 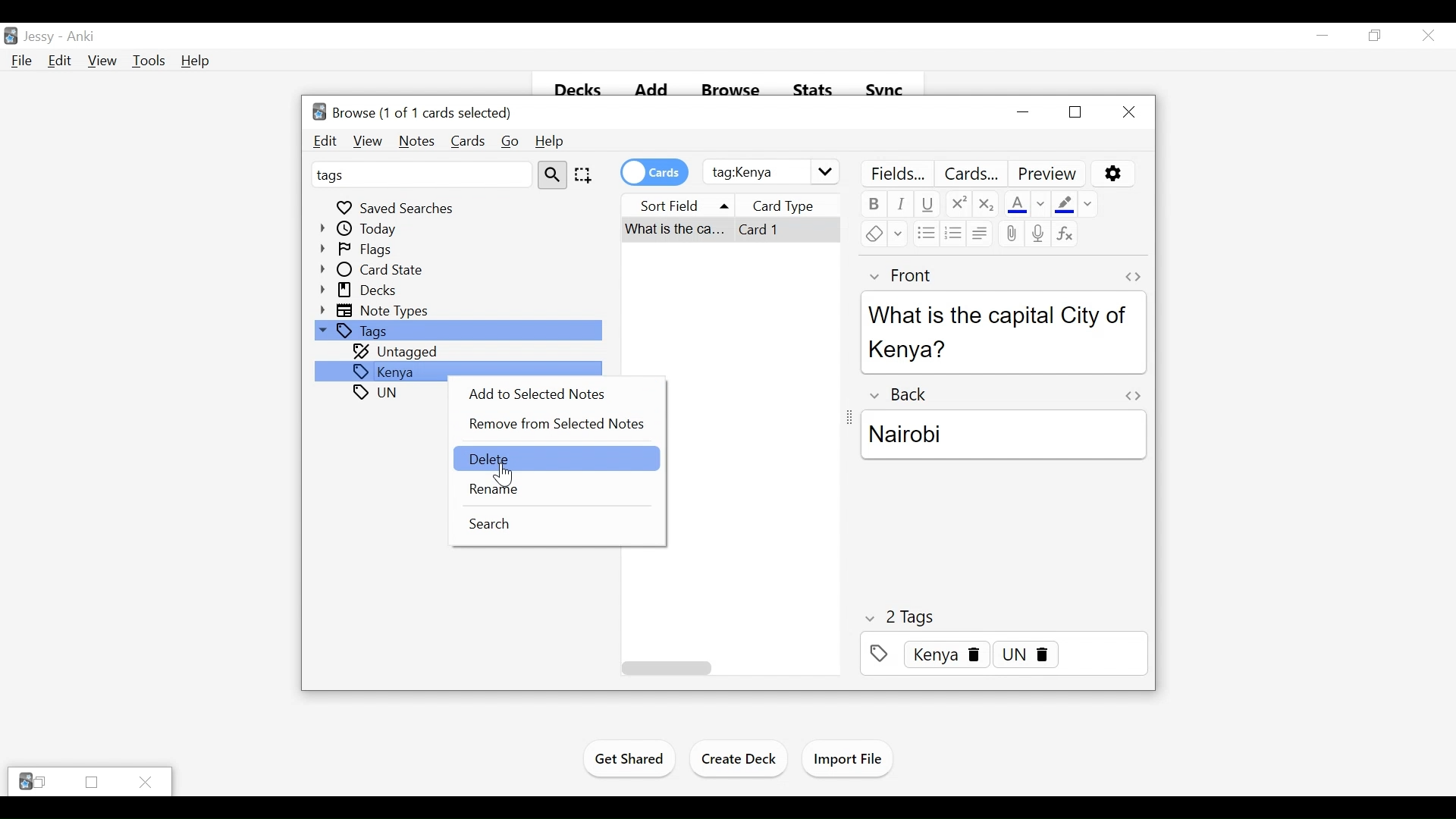 I want to click on Tags Field, so click(x=1003, y=654).